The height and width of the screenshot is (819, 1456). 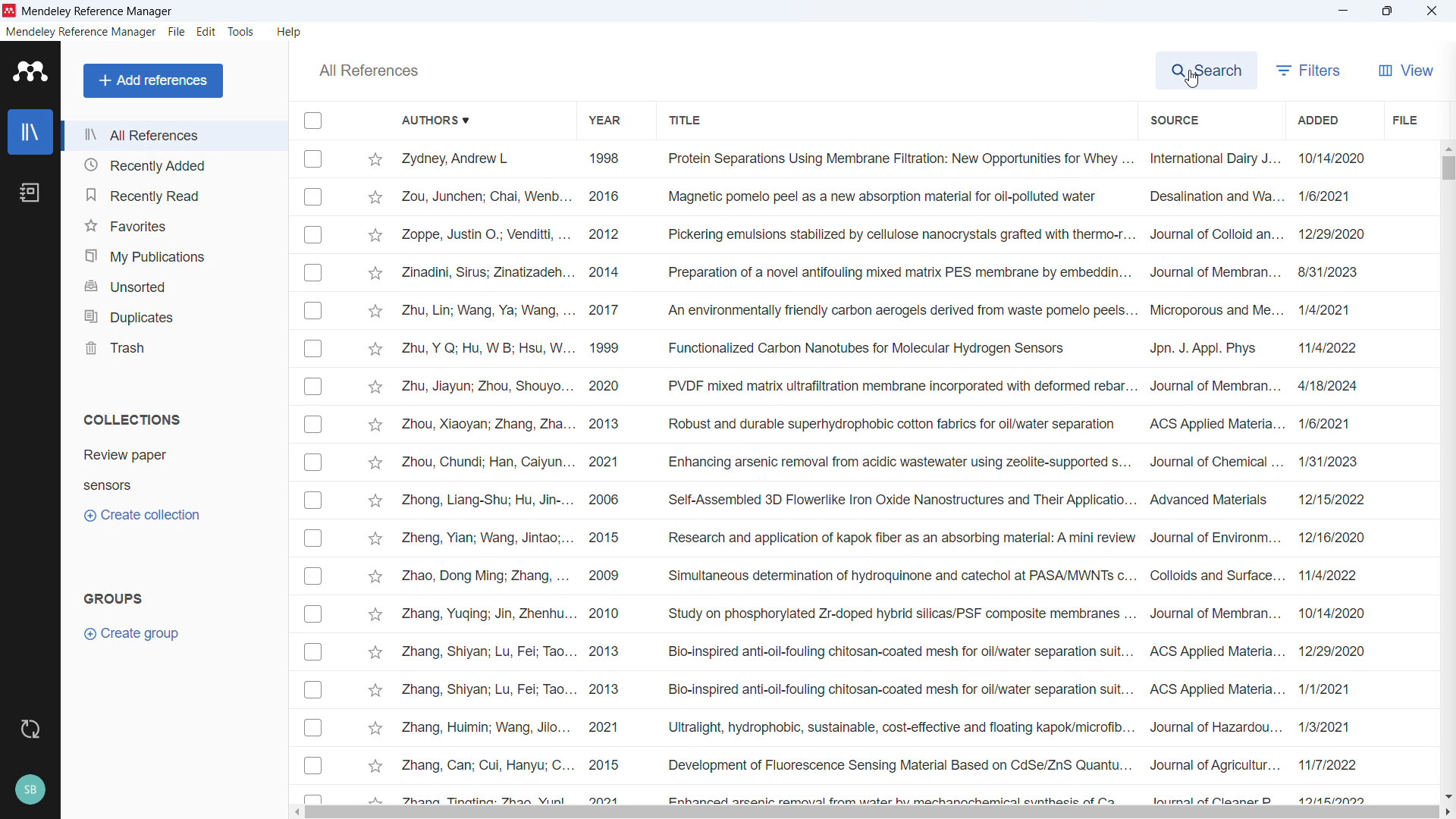 What do you see at coordinates (1307, 71) in the screenshot?
I see `filters` at bounding box center [1307, 71].